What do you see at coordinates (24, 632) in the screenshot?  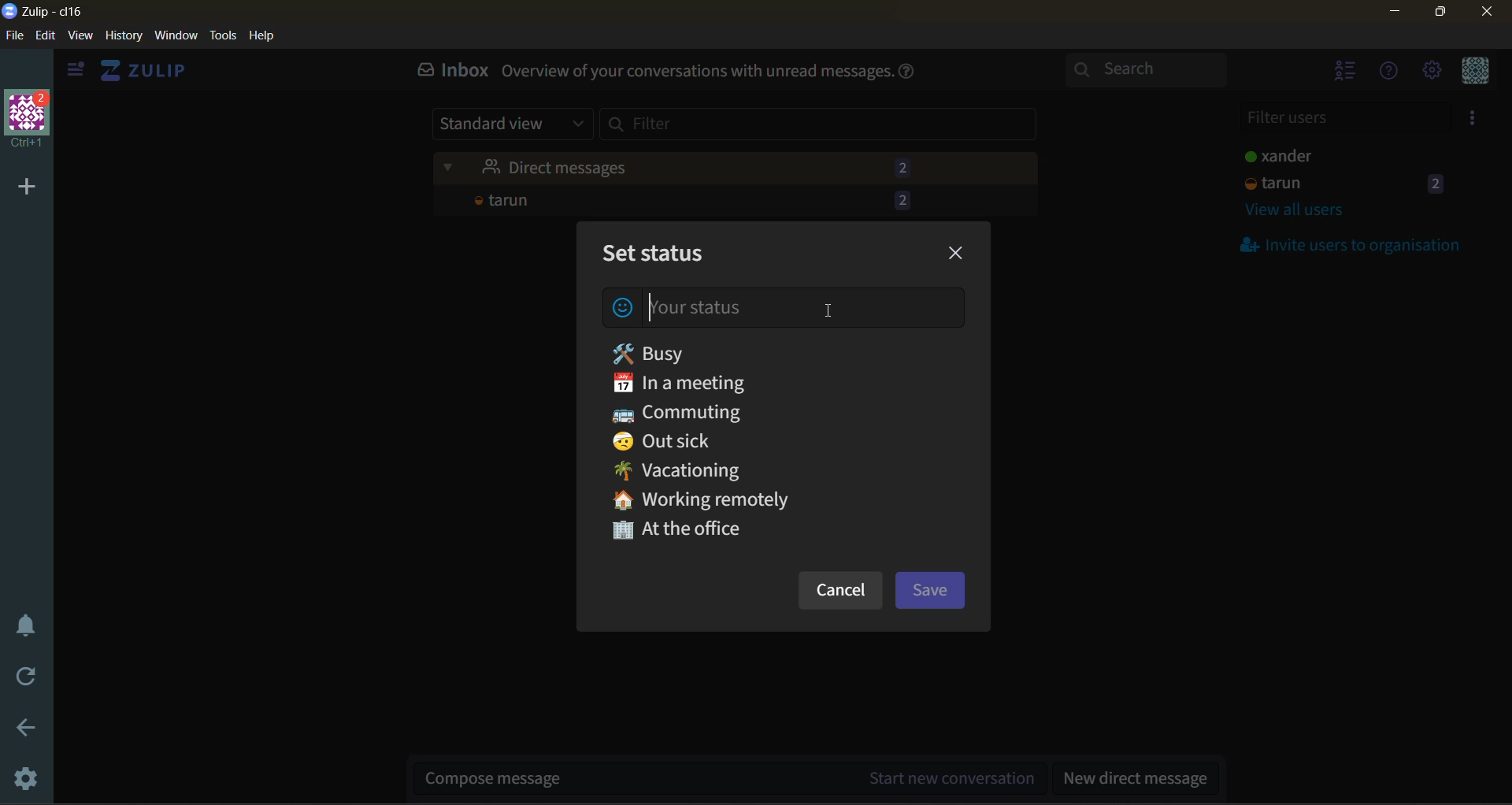 I see `enable do not disturb` at bounding box center [24, 632].